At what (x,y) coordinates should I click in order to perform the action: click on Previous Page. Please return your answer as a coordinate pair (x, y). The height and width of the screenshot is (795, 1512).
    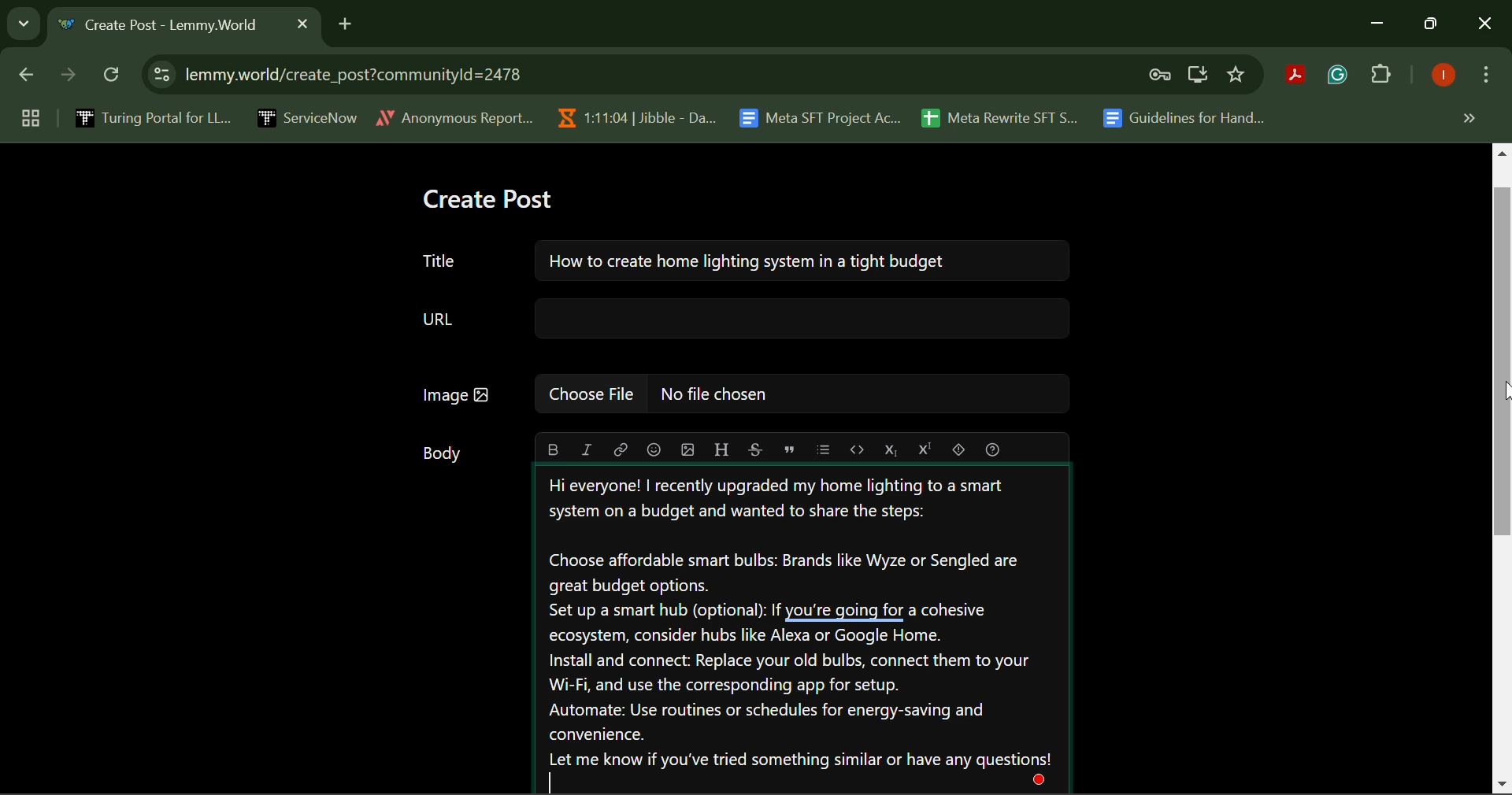
    Looking at the image, I should click on (29, 78).